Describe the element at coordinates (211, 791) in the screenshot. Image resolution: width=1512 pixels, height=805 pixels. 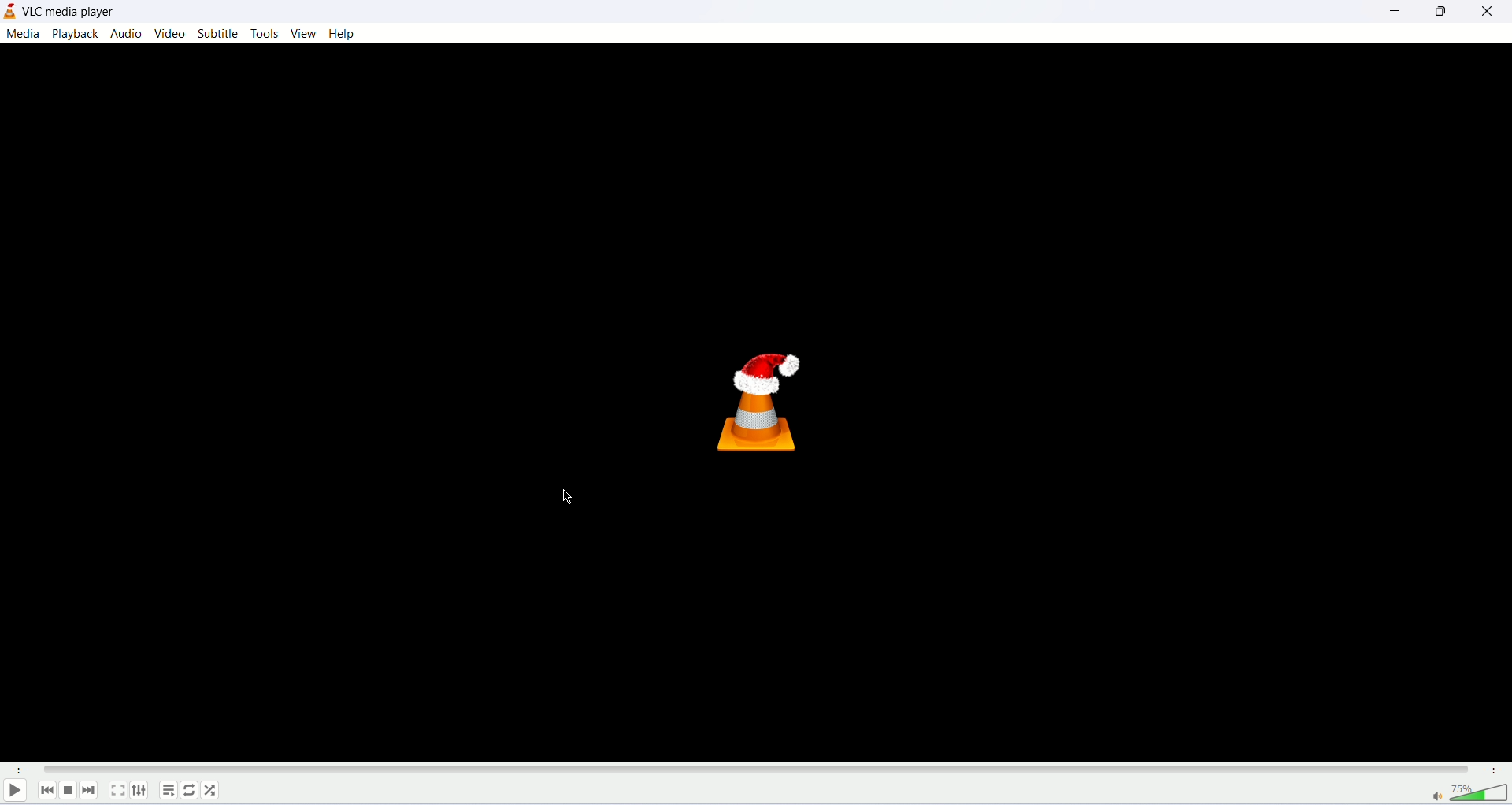
I see `random` at that location.